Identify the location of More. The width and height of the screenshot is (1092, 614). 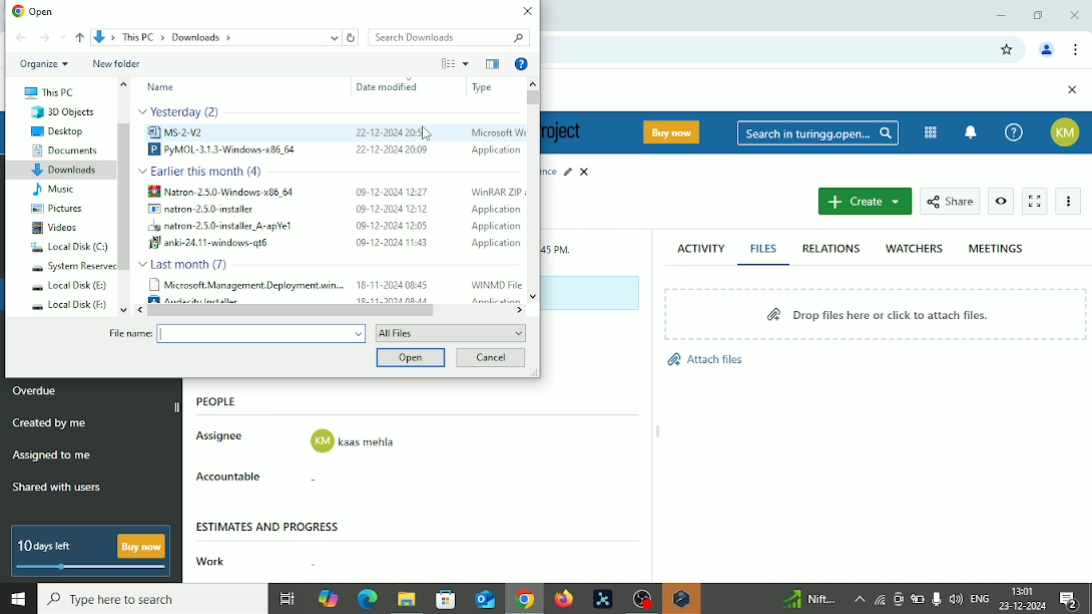
(858, 599).